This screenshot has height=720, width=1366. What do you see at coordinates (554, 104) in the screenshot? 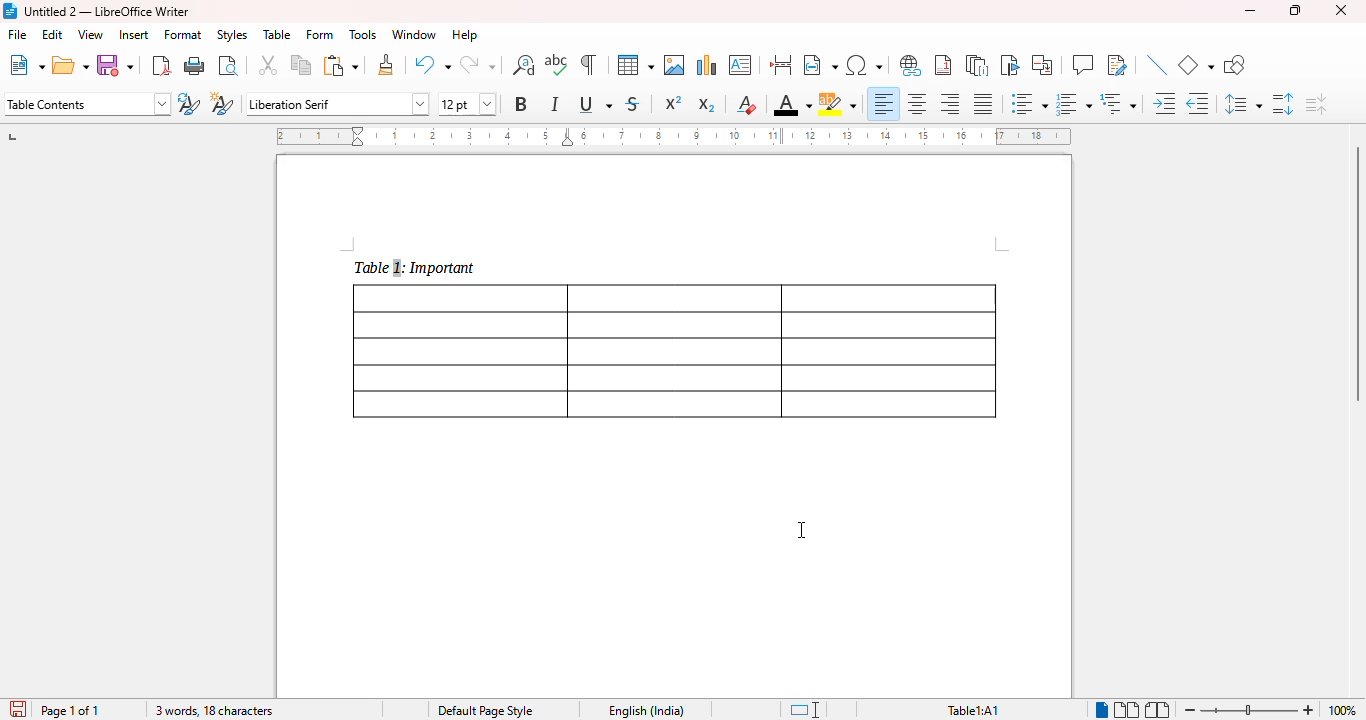
I see `italic` at bounding box center [554, 104].